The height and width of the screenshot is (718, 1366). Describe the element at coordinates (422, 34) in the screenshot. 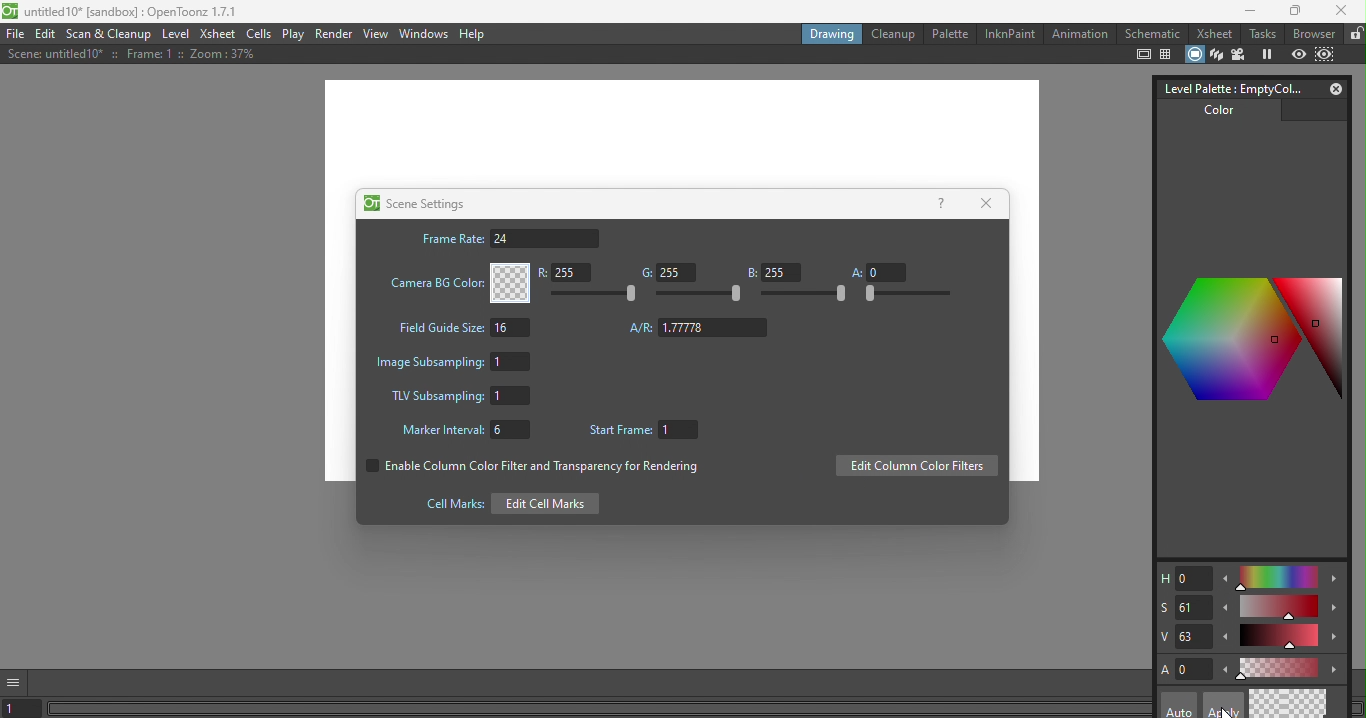

I see `Windows` at that location.